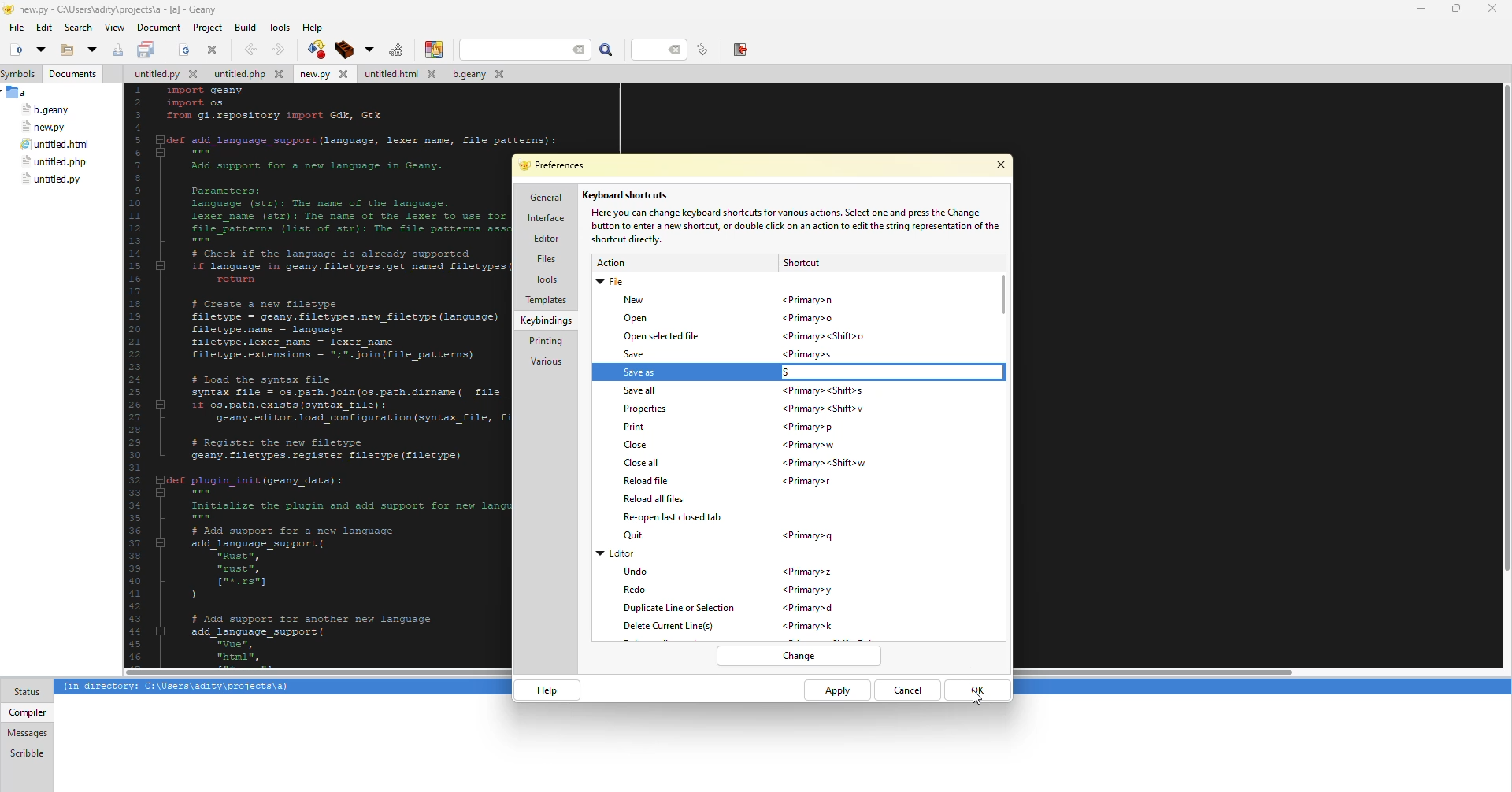 The image size is (1512, 792). What do you see at coordinates (245, 26) in the screenshot?
I see `build` at bounding box center [245, 26].